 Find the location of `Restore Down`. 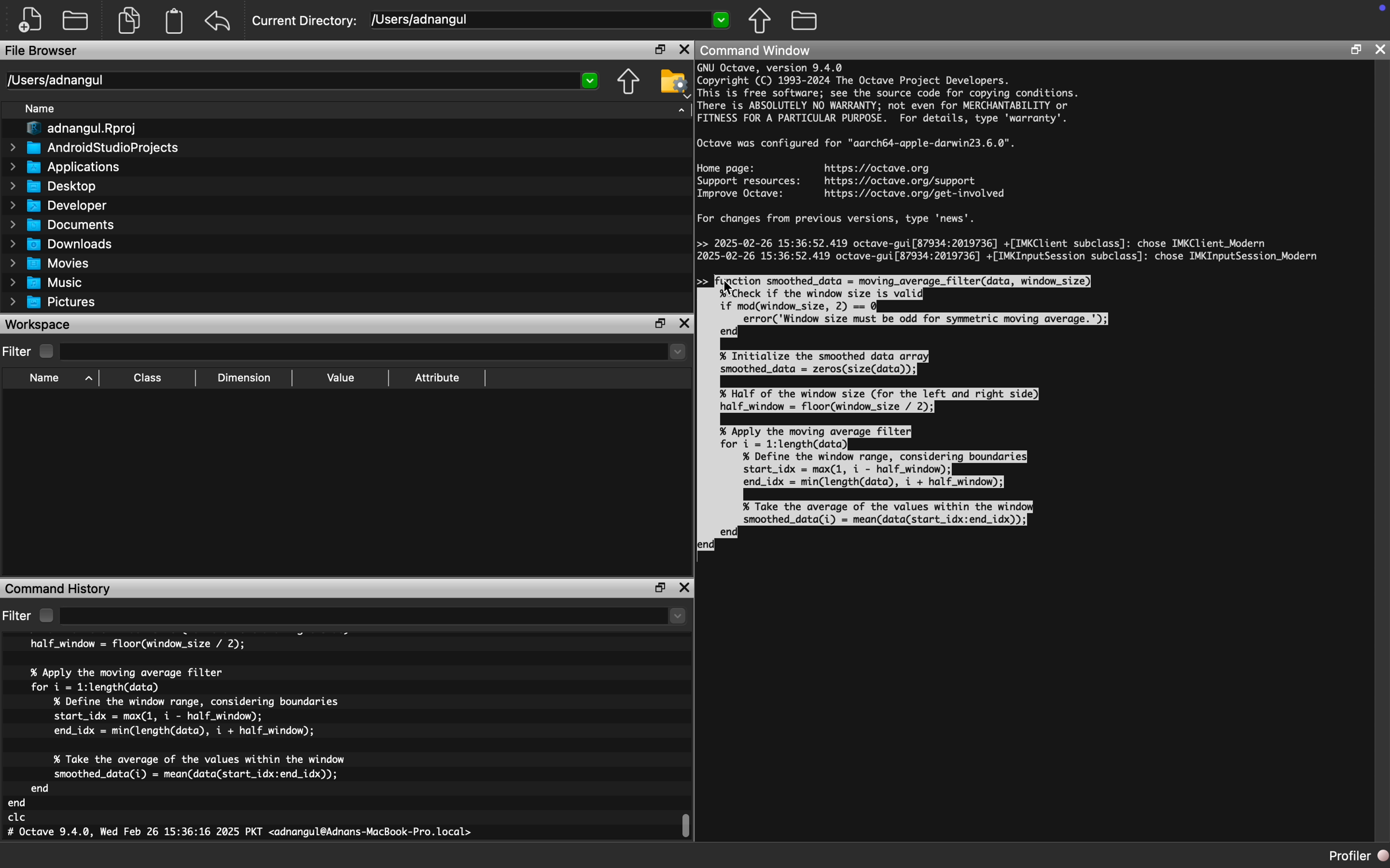

Restore Down is located at coordinates (660, 324).